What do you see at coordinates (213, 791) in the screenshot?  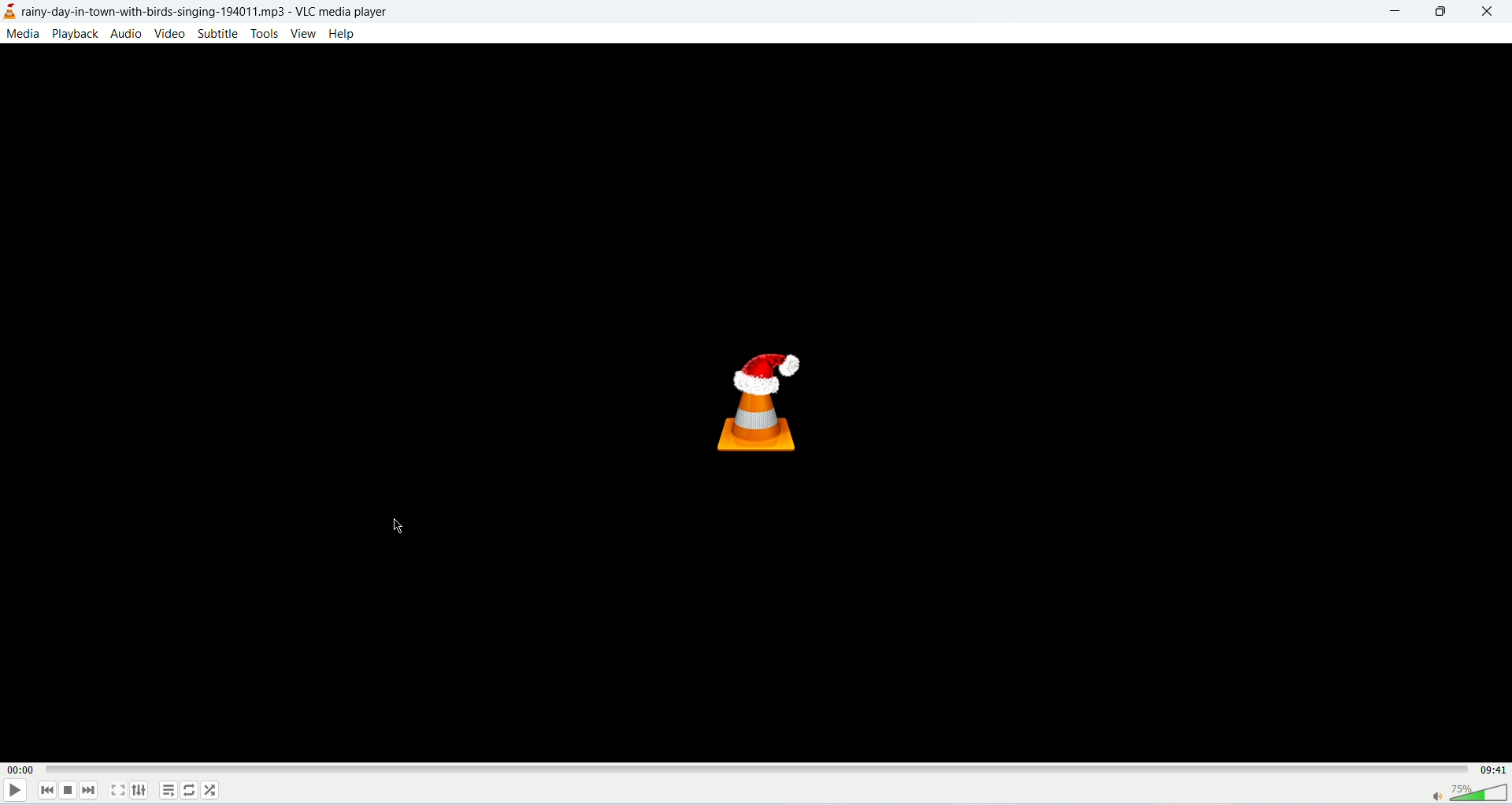 I see `shuffle` at bounding box center [213, 791].